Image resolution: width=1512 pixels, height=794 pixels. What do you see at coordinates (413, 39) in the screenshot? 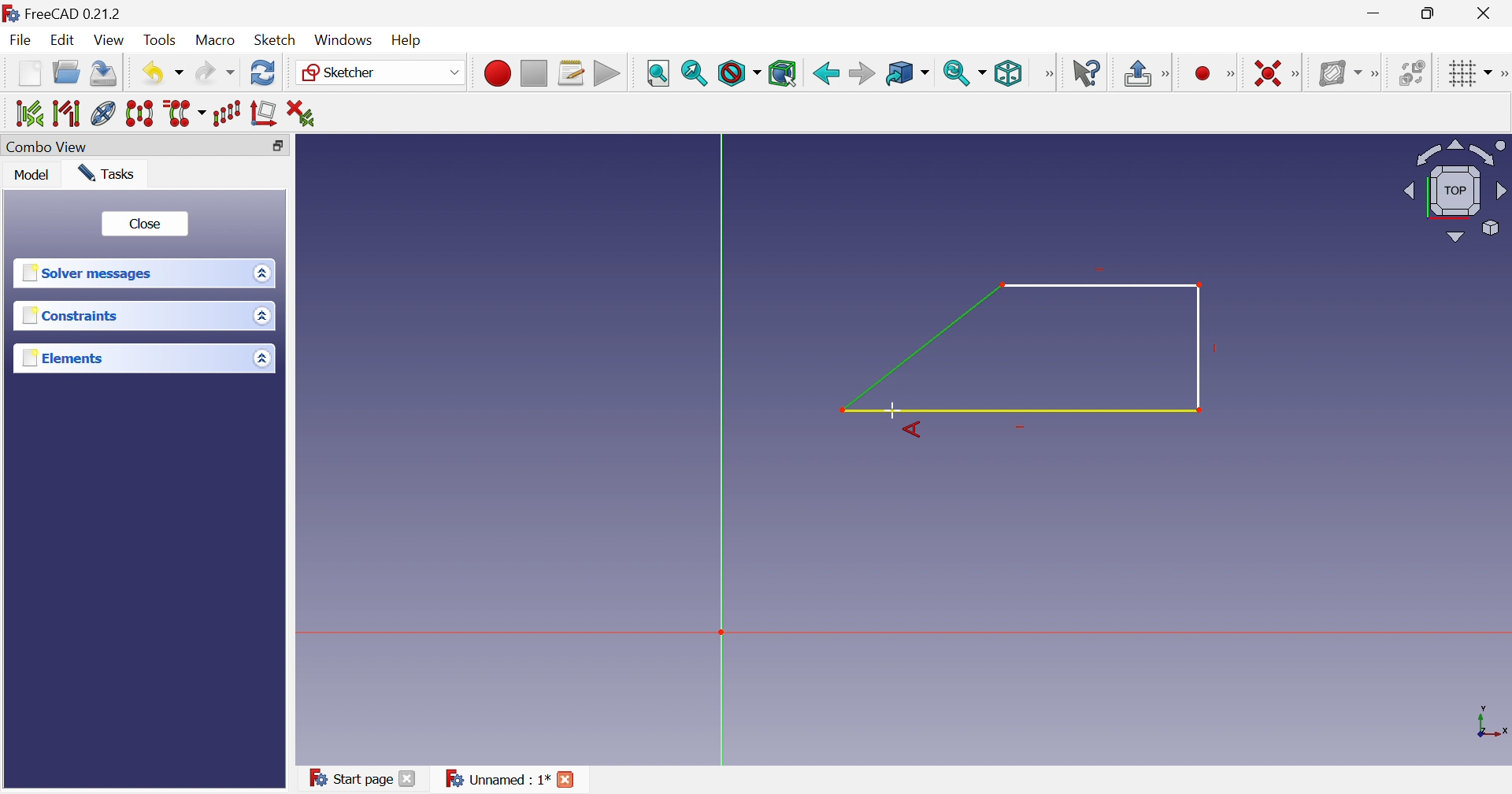
I see `Help` at bounding box center [413, 39].